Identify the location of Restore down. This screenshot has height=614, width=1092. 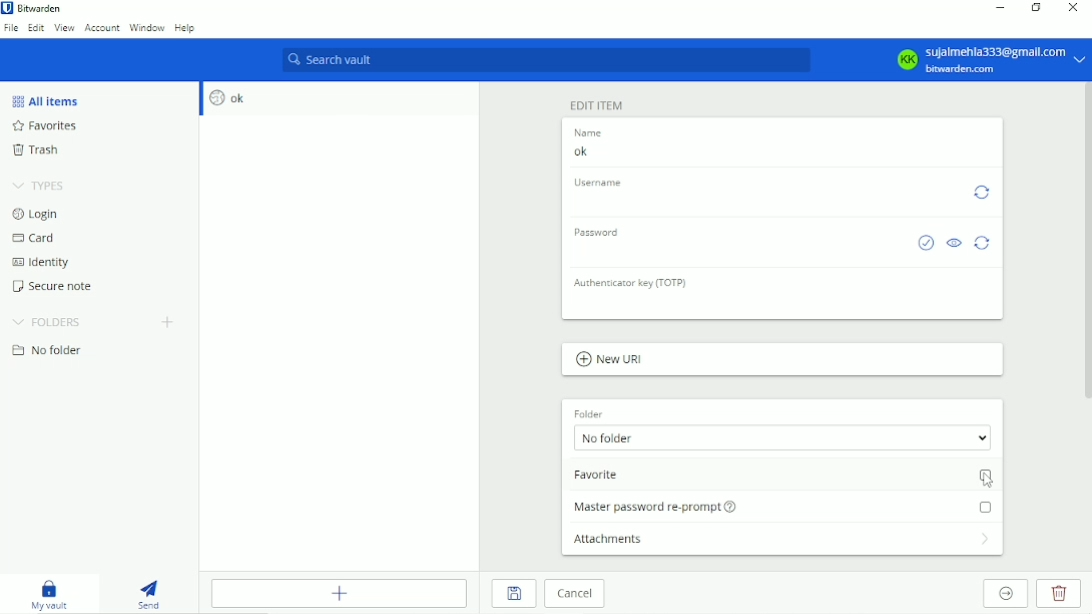
(1036, 7).